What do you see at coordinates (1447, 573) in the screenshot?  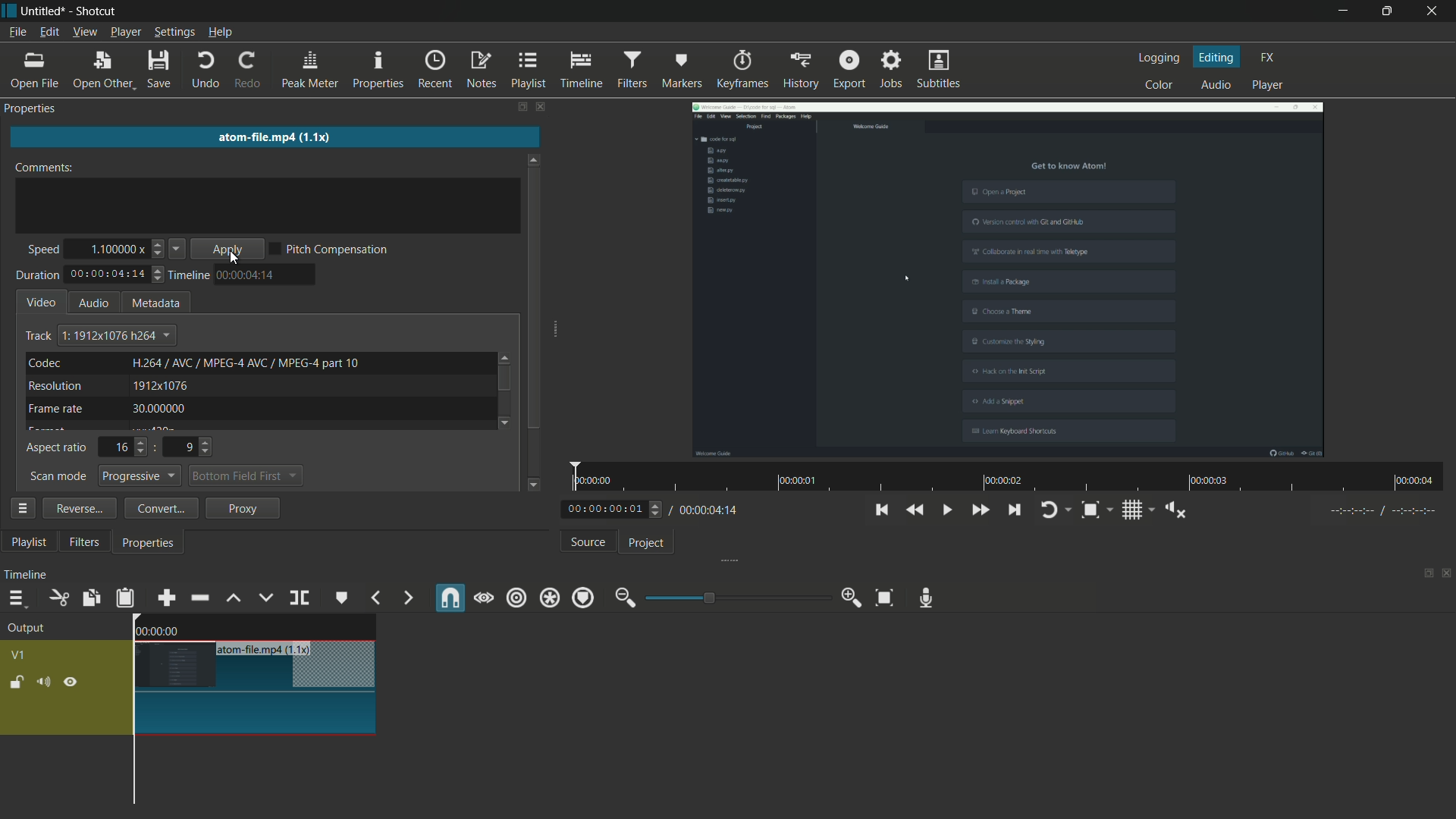 I see `close timeline` at bounding box center [1447, 573].